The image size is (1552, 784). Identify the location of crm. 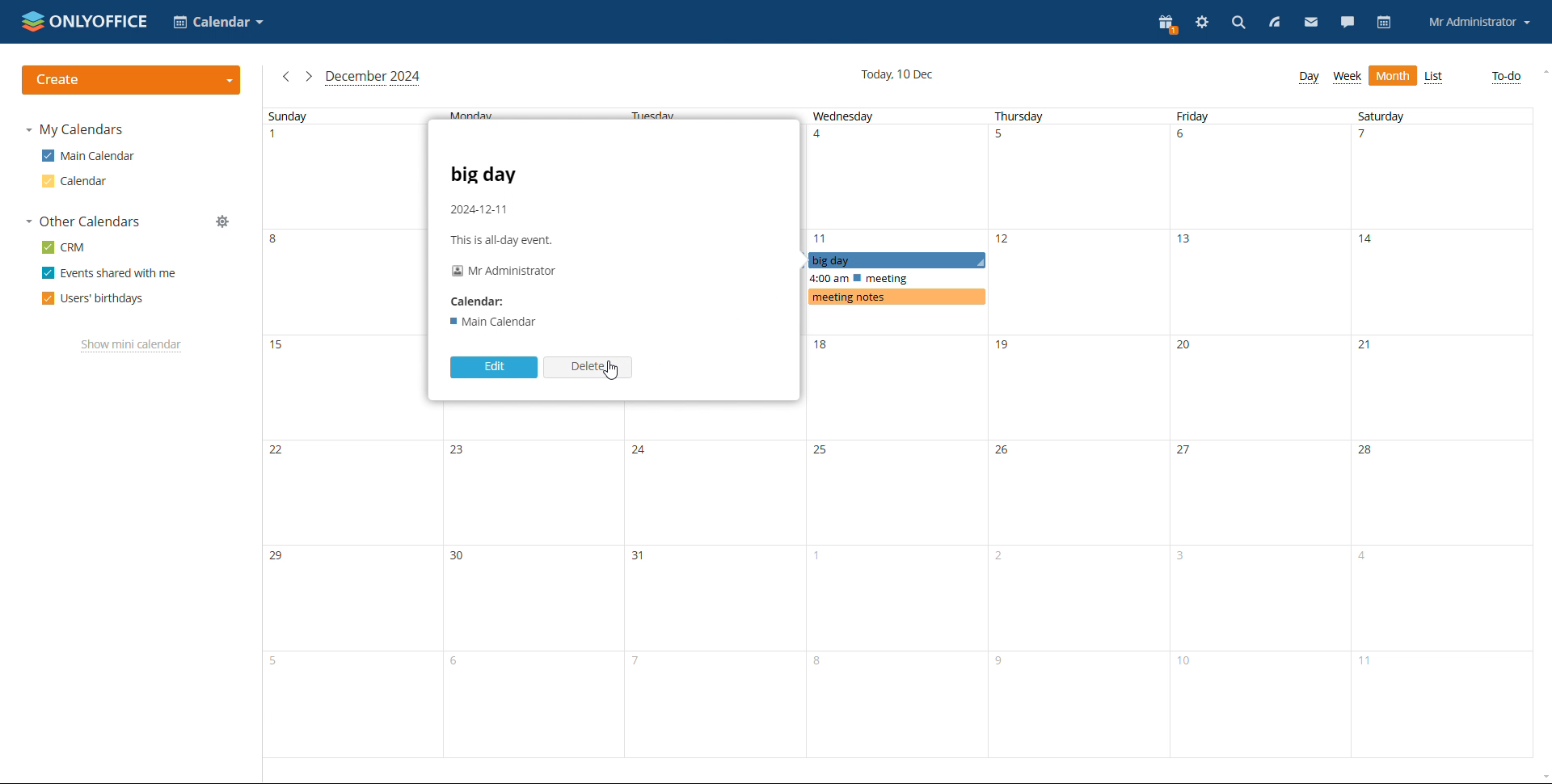
(67, 247).